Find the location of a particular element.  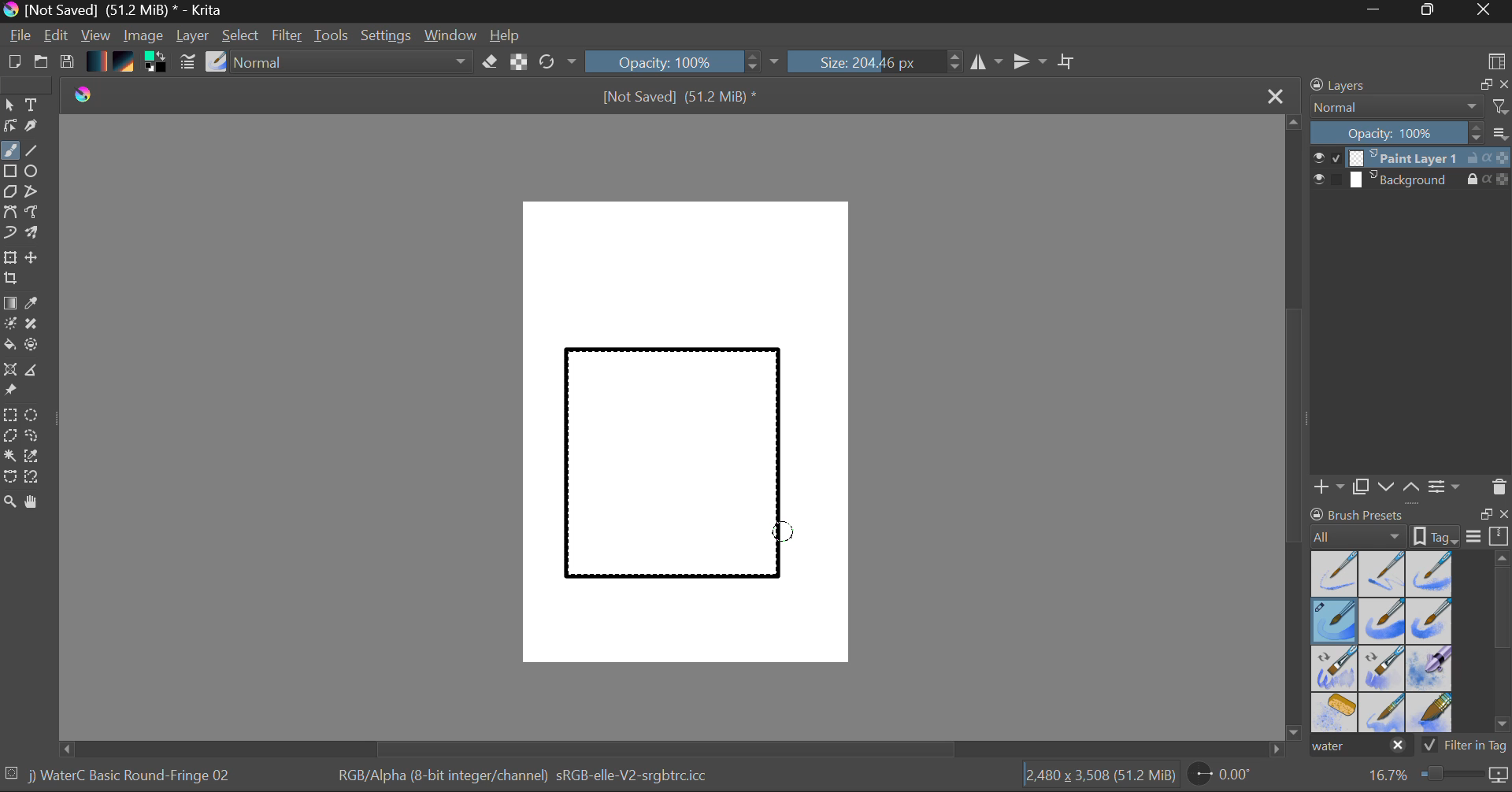

Dynamic Brush is located at coordinates (9, 233).